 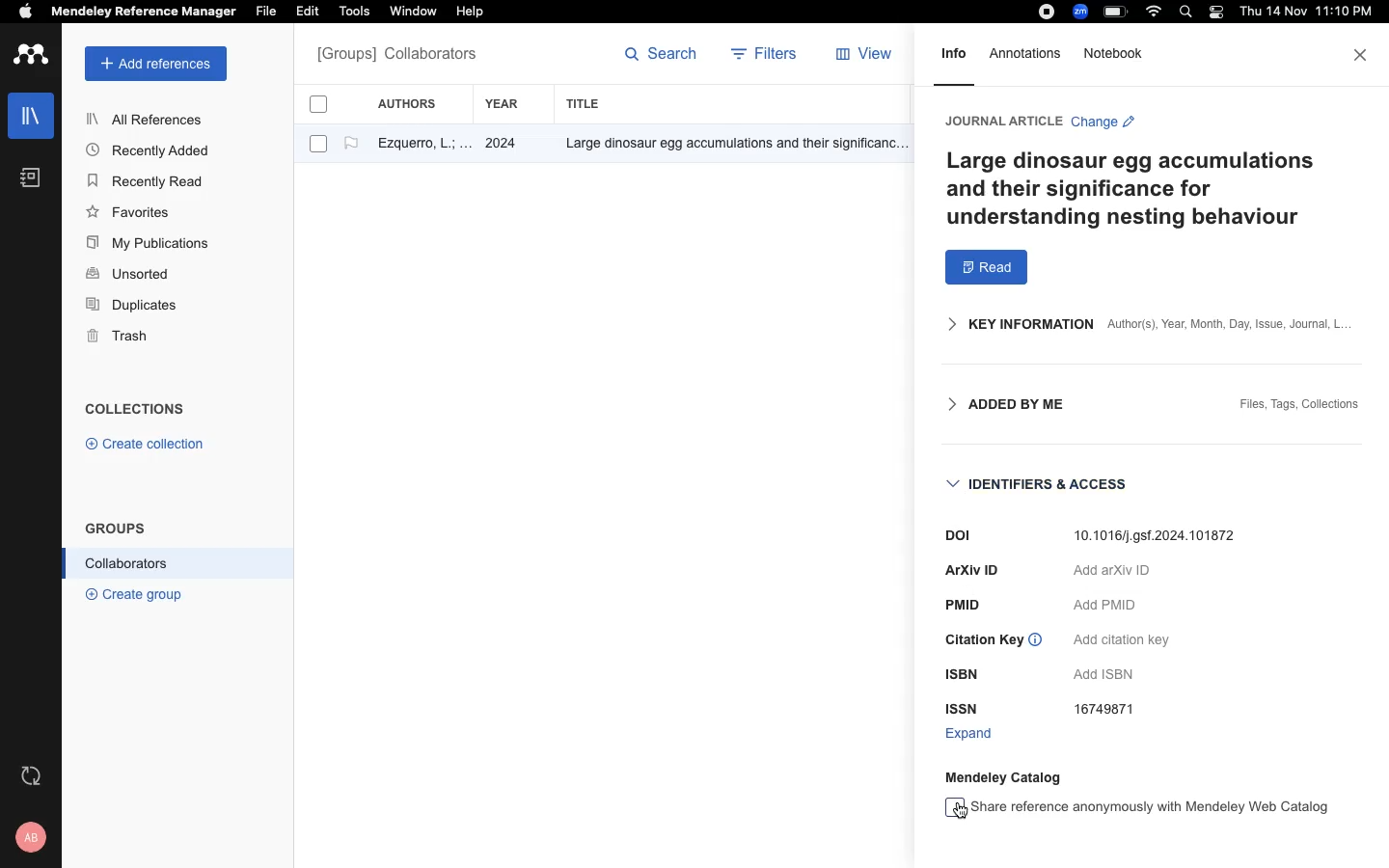 What do you see at coordinates (144, 13) in the screenshot?
I see `Mendeley Reference Manager` at bounding box center [144, 13].